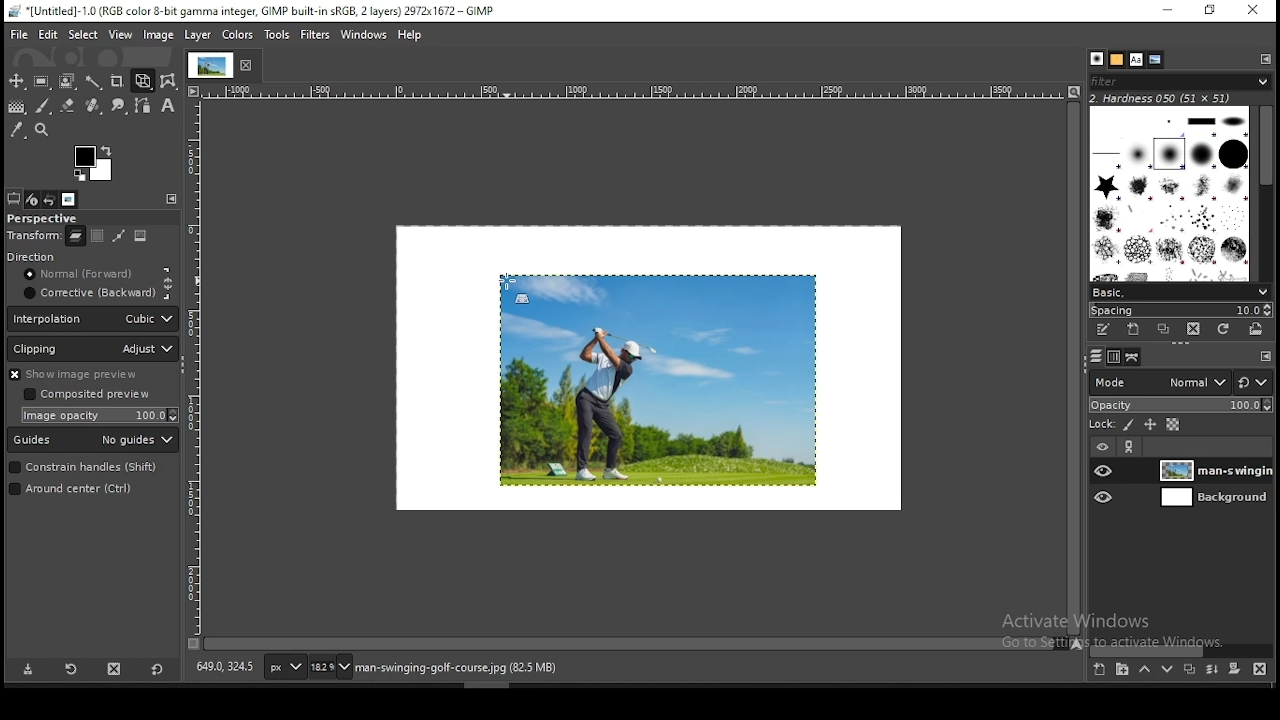  Describe the element at coordinates (84, 468) in the screenshot. I see `constraint handles (shift)` at that location.